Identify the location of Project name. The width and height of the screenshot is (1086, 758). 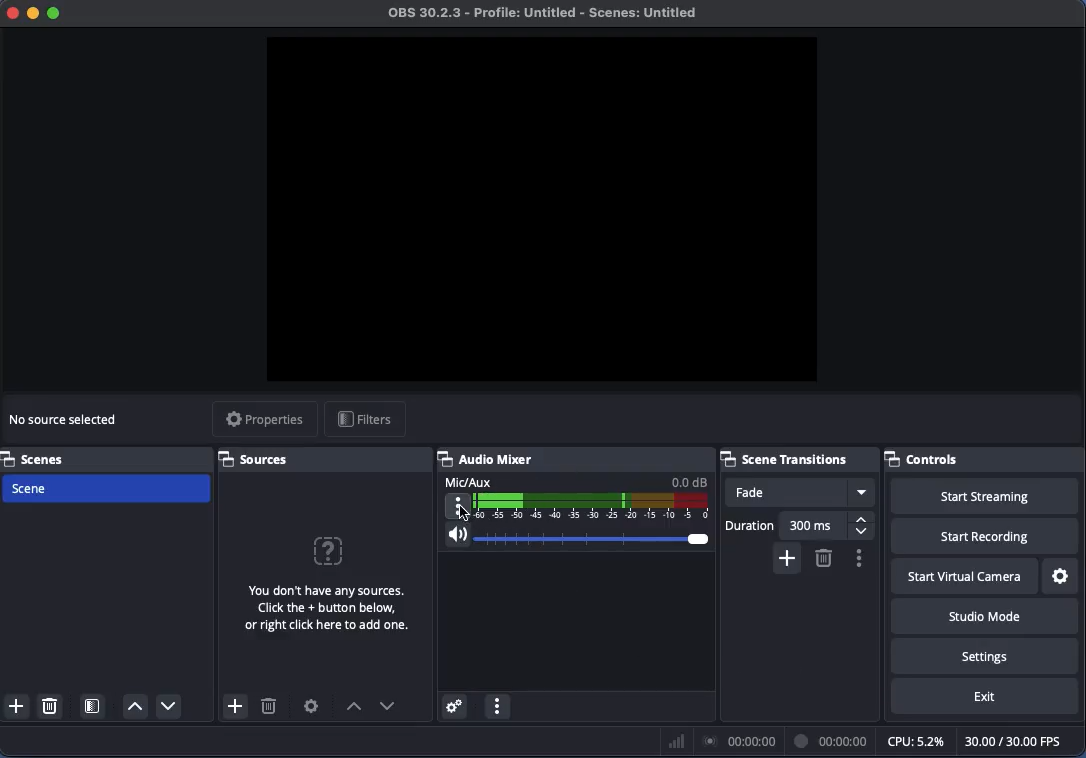
(548, 14).